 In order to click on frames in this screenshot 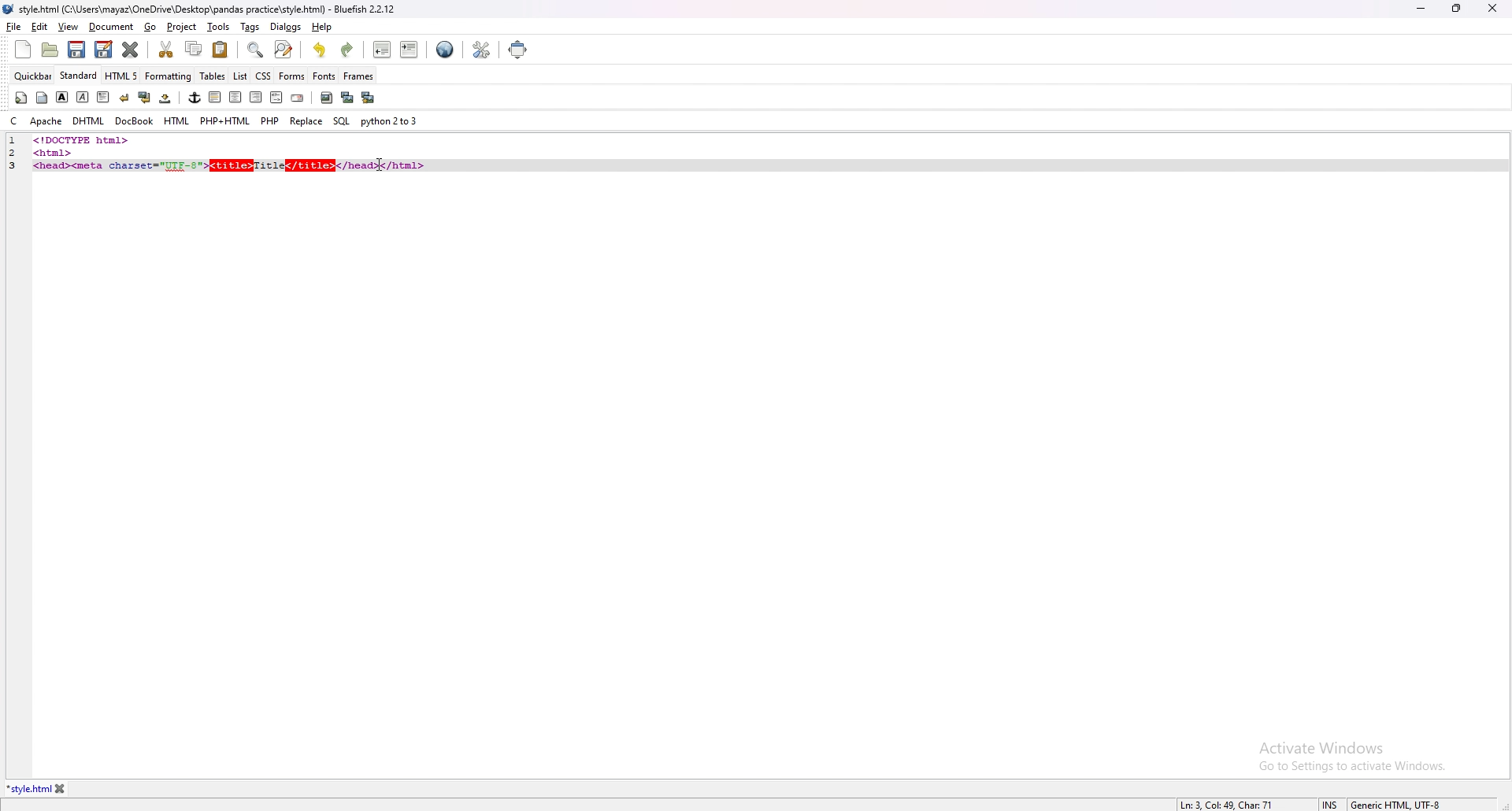, I will do `click(358, 76)`.